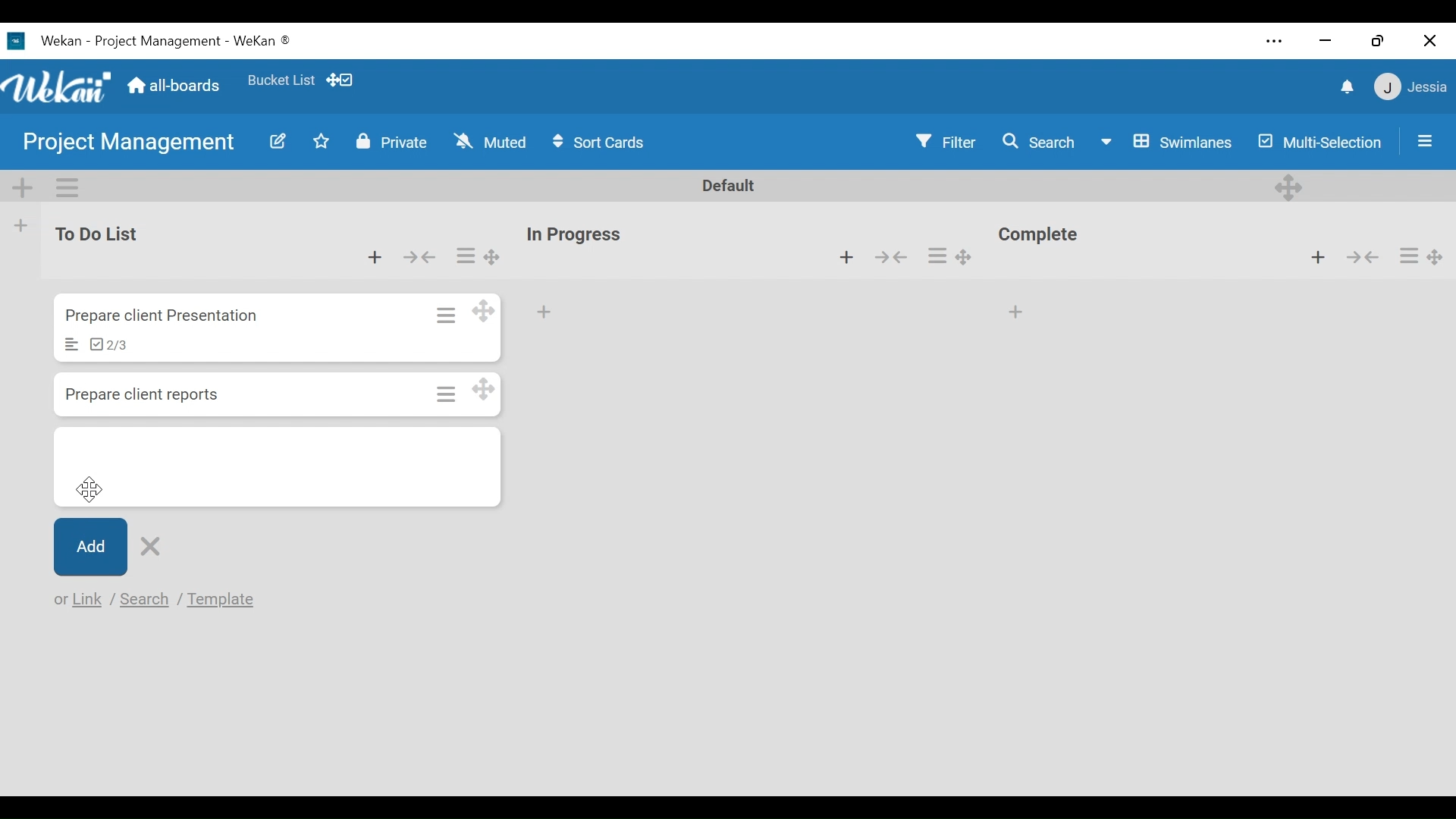 Image resolution: width=1456 pixels, height=819 pixels. I want to click on Restore, so click(1375, 36).